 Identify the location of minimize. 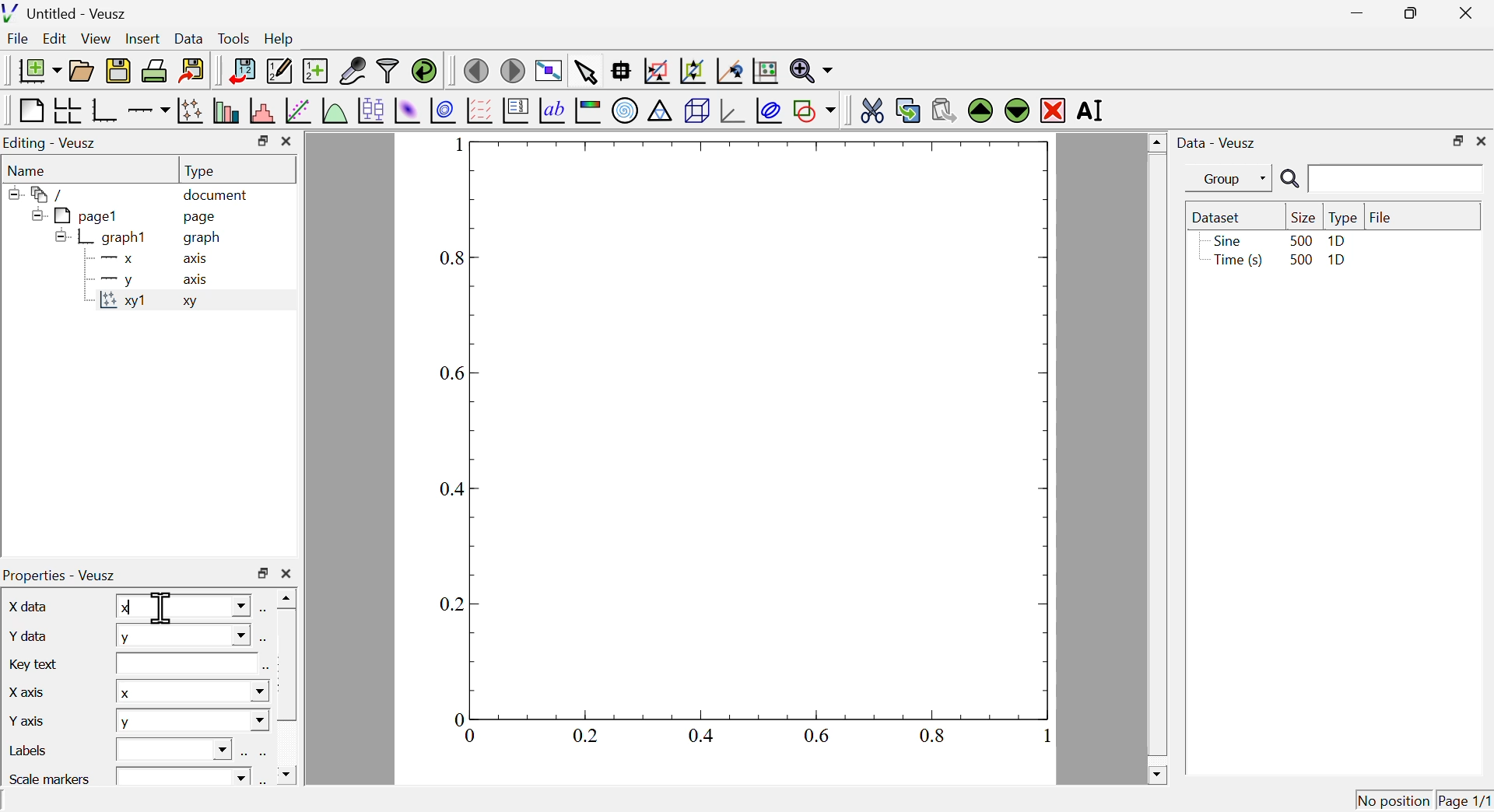
(1352, 13).